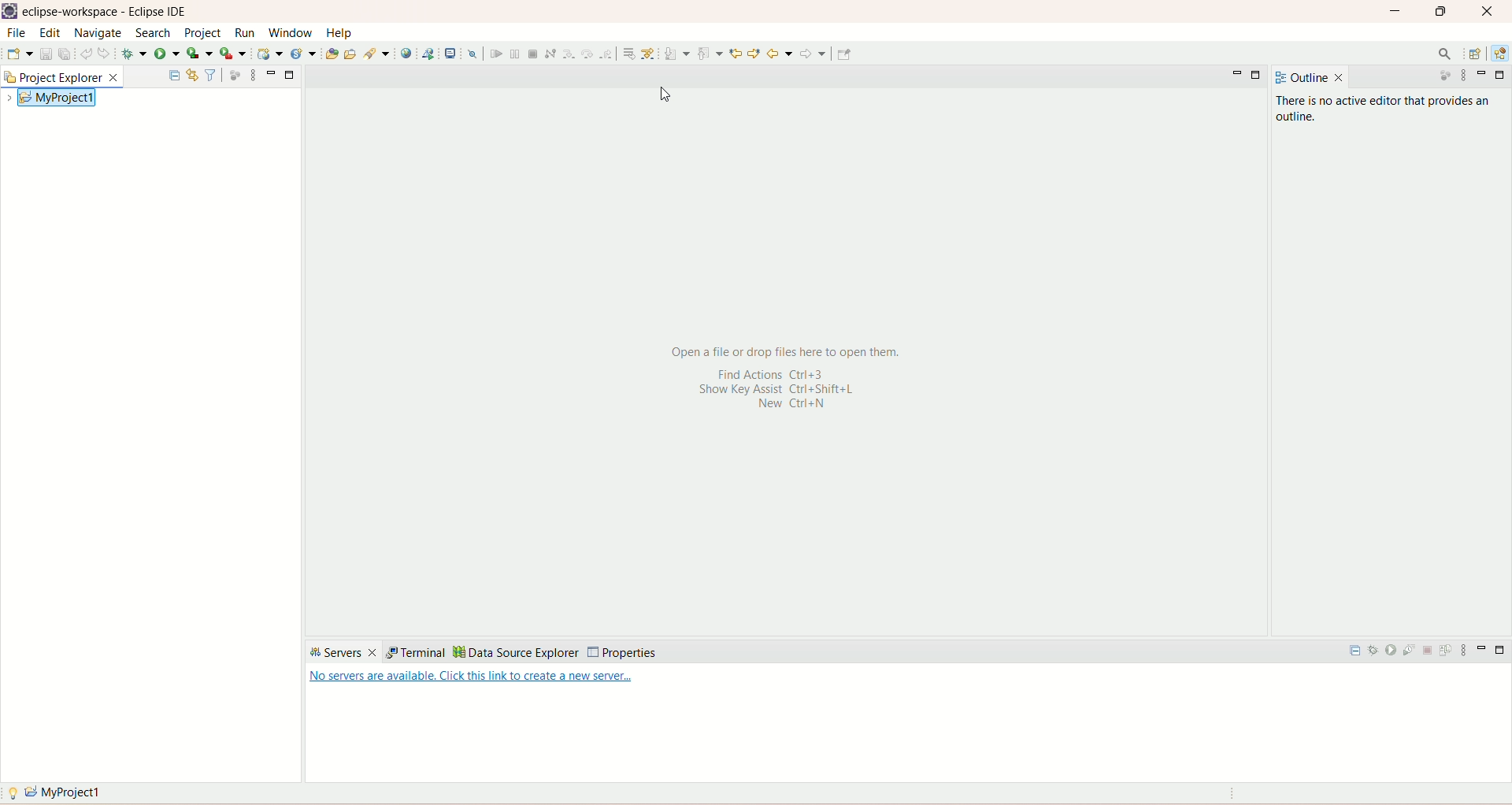 This screenshot has height=805, width=1512. What do you see at coordinates (135, 54) in the screenshot?
I see `debug` at bounding box center [135, 54].